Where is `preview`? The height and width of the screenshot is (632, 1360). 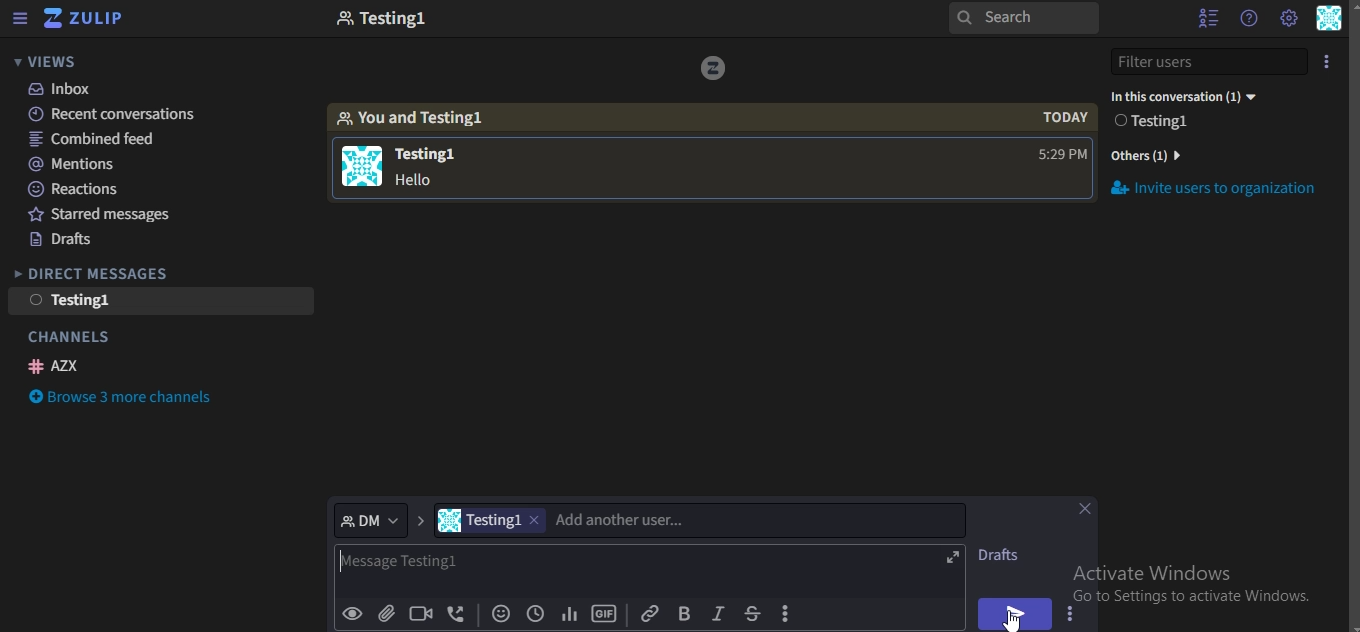
preview is located at coordinates (353, 614).